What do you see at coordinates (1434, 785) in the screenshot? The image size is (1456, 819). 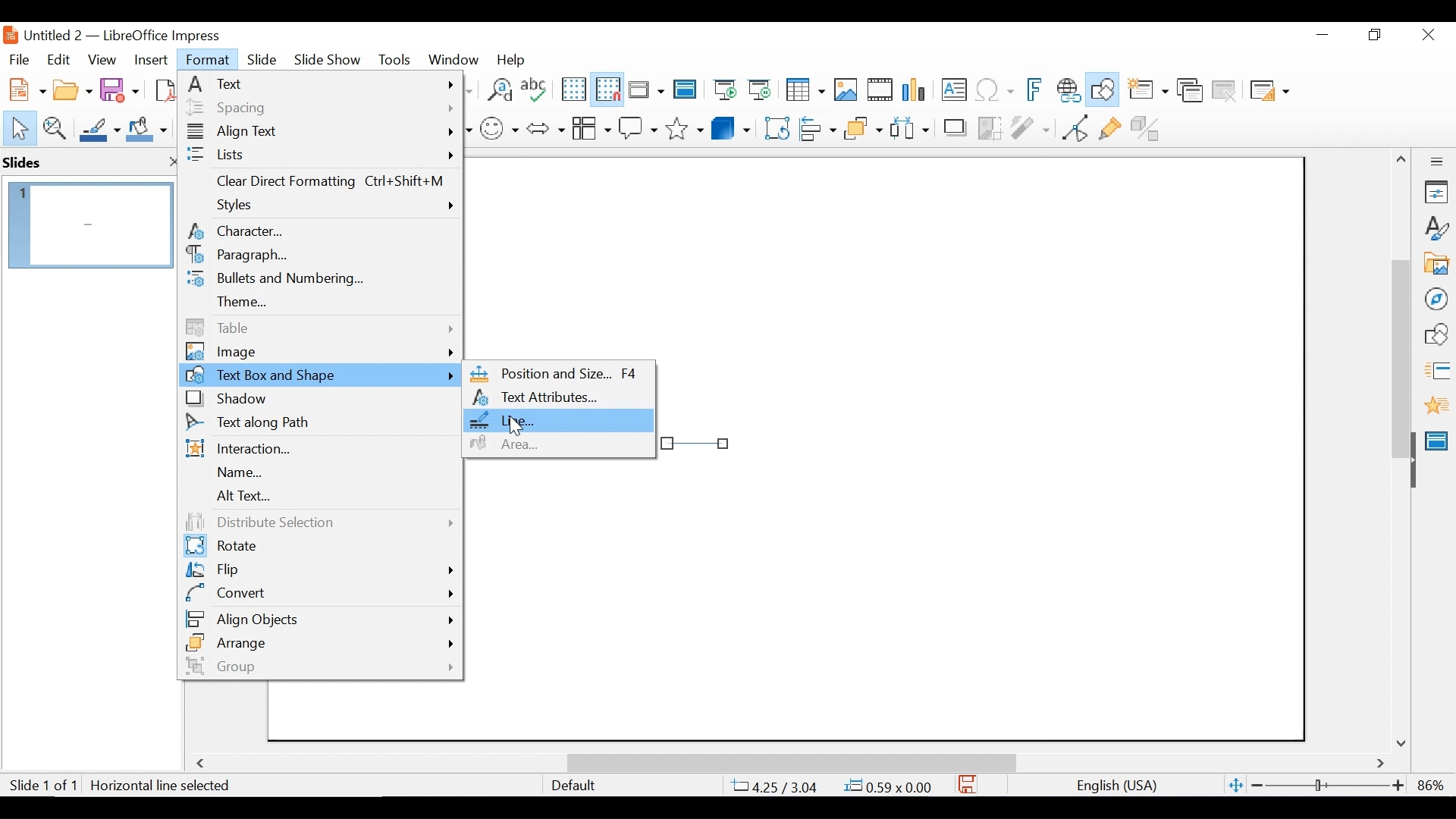 I see `86%` at bounding box center [1434, 785].